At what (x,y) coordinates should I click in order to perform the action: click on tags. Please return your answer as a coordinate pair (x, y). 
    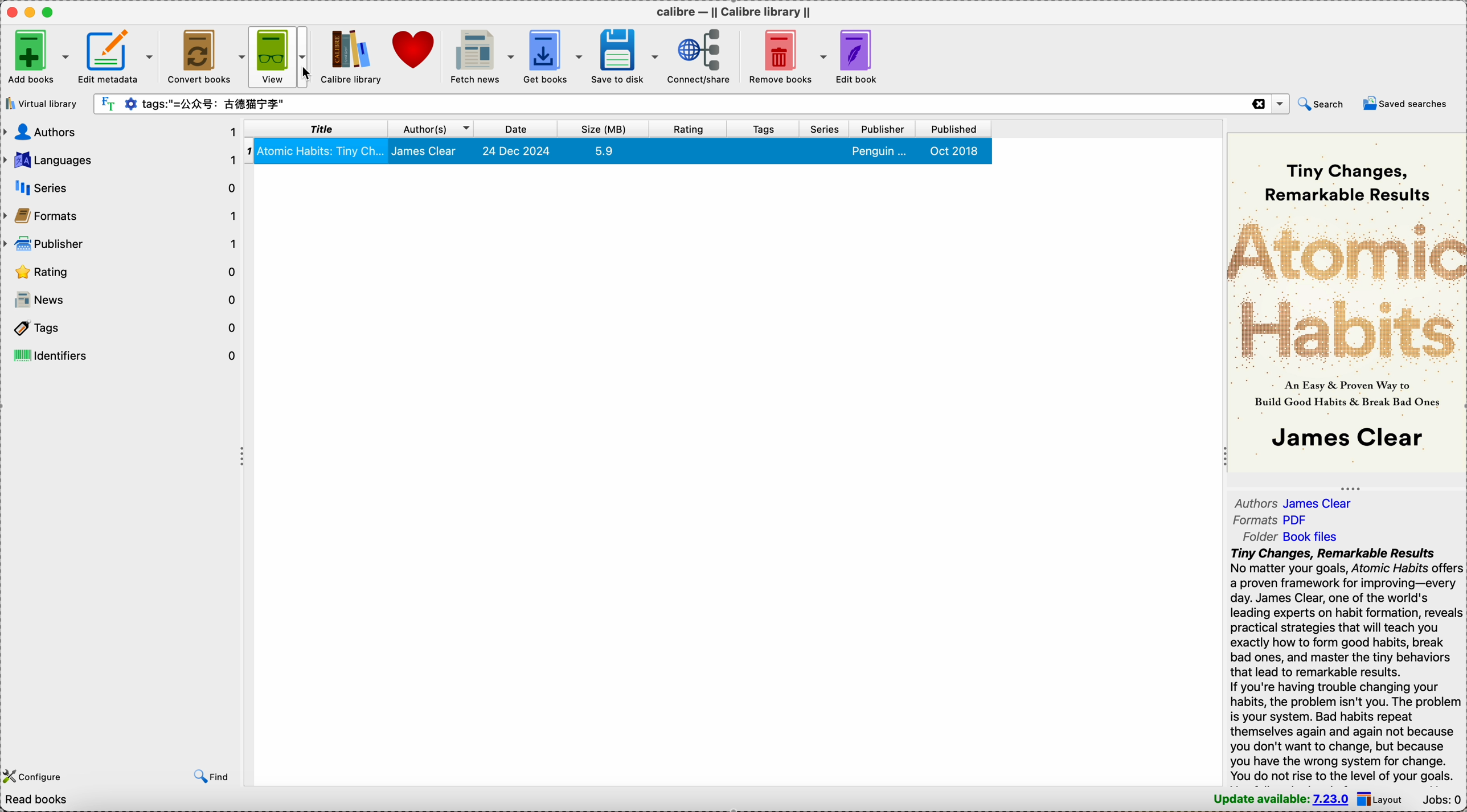
    Looking at the image, I should click on (765, 128).